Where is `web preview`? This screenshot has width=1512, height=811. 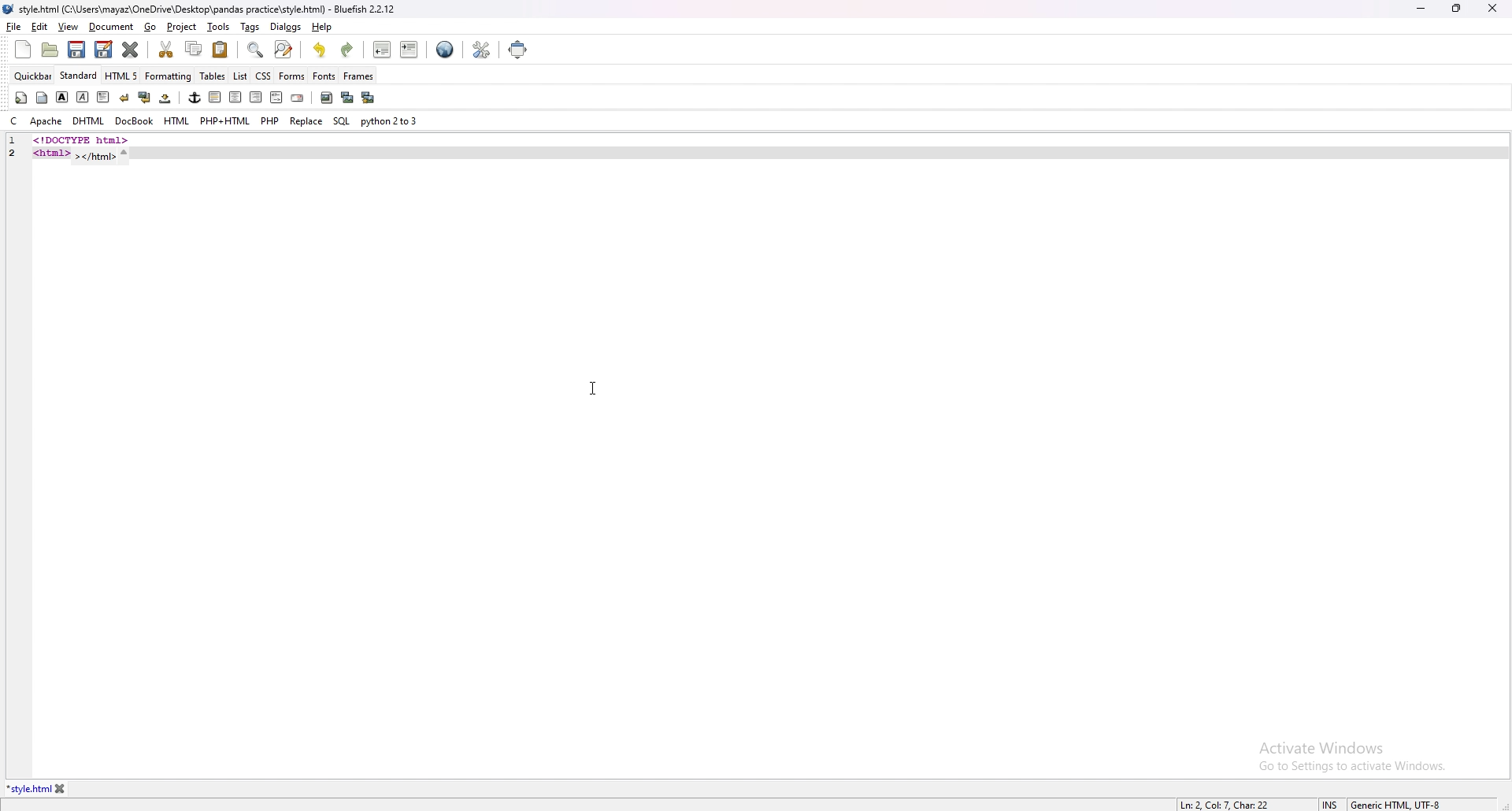
web preview is located at coordinates (445, 50).